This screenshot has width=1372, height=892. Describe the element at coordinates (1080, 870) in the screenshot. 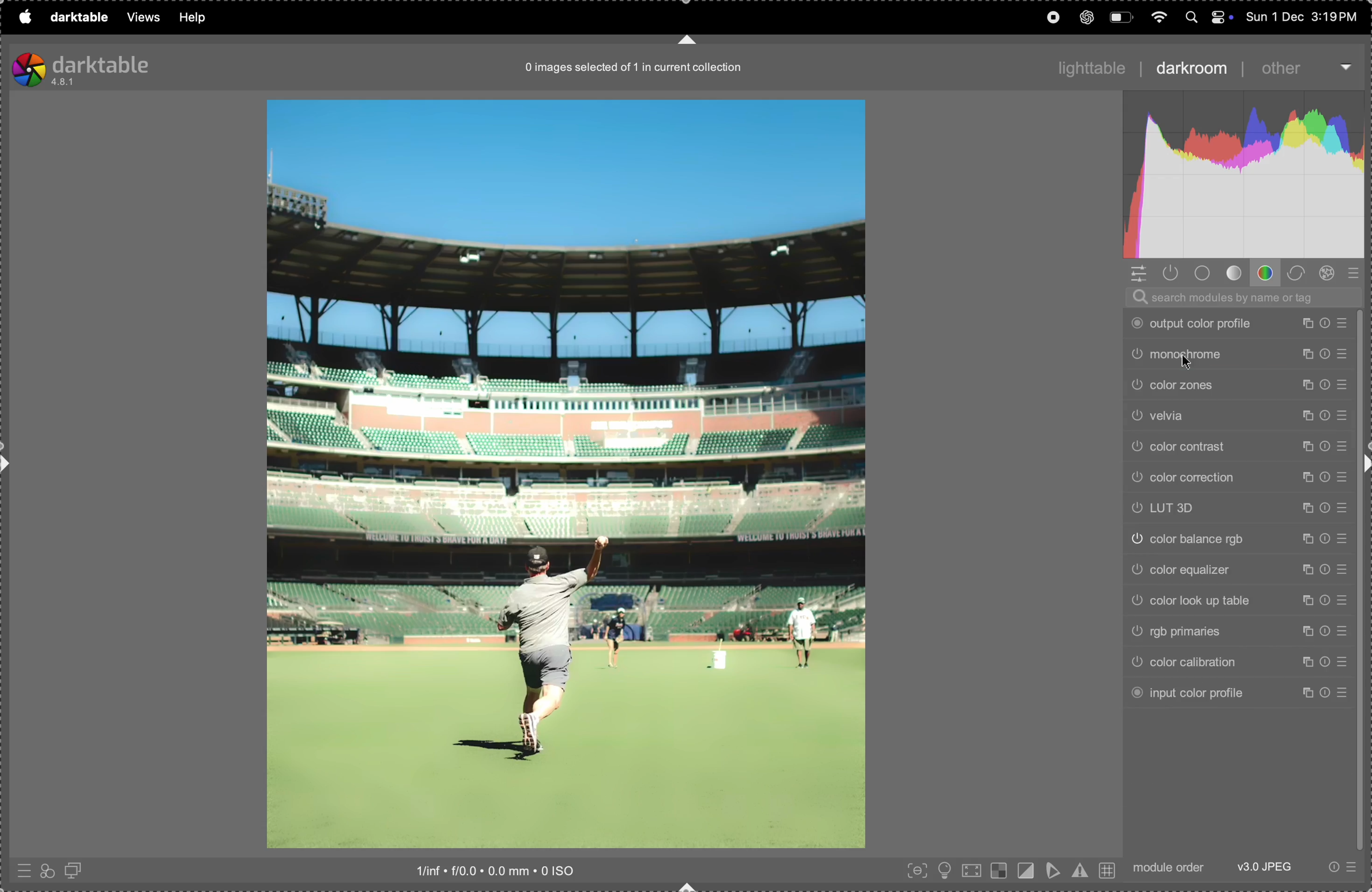

I see `toggle gamut checking` at that location.